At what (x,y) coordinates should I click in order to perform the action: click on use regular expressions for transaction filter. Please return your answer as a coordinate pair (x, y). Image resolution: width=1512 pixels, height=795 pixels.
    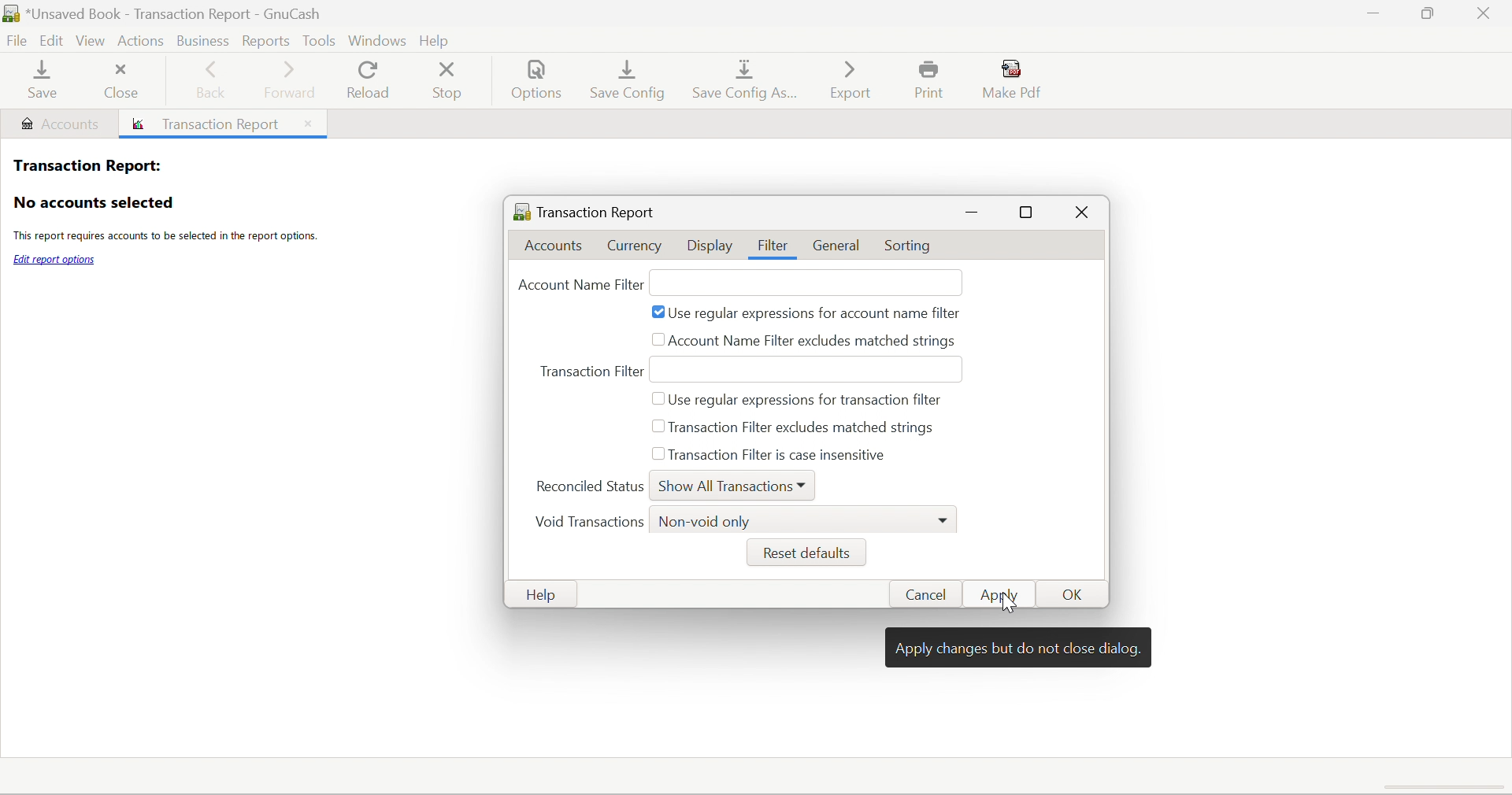
    Looking at the image, I should click on (811, 401).